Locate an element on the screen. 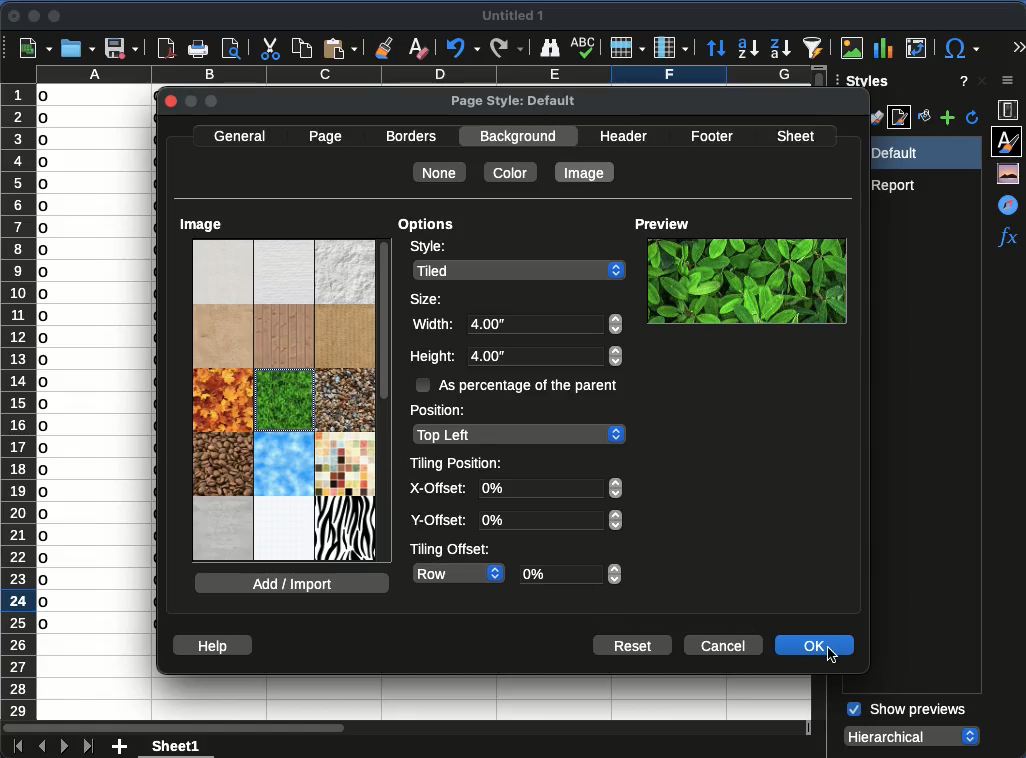 The width and height of the screenshot is (1026, 758). new is located at coordinates (34, 49).